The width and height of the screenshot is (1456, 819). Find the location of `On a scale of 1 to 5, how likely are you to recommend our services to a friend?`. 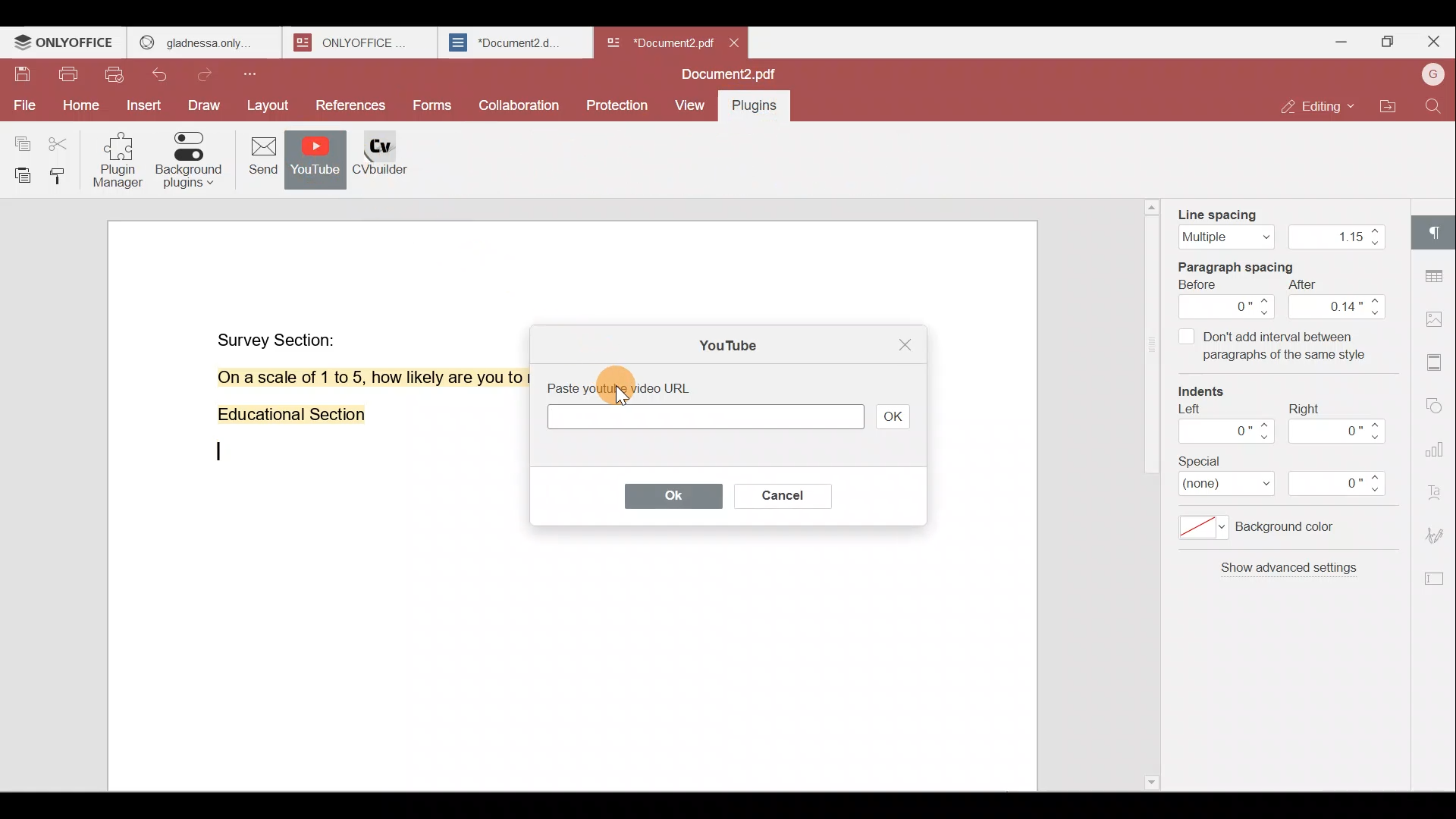

On a scale of 1 to 5, how likely are you to recommend our services to a friend? is located at coordinates (352, 378).